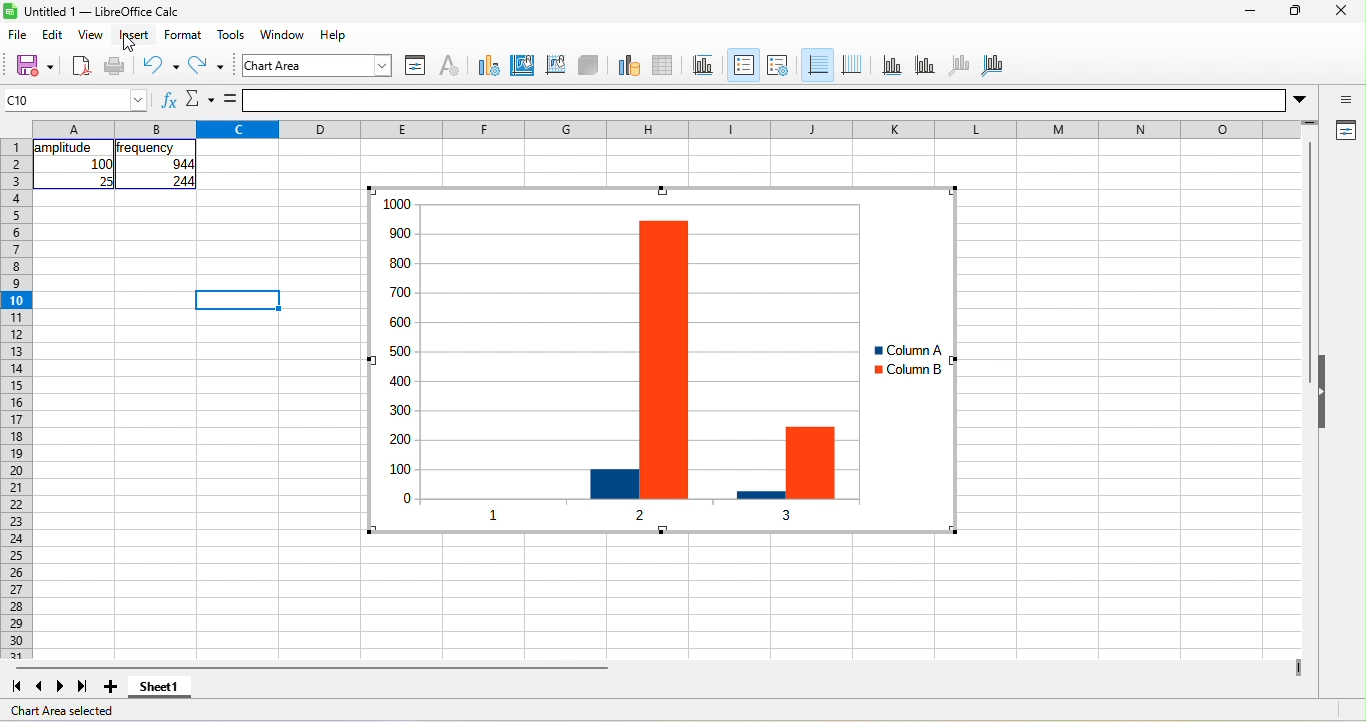 Image resolution: width=1366 pixels, height=722 pixels. Describe the element at coordinates (91, 37) in the screenshot. I see `view` at that location.